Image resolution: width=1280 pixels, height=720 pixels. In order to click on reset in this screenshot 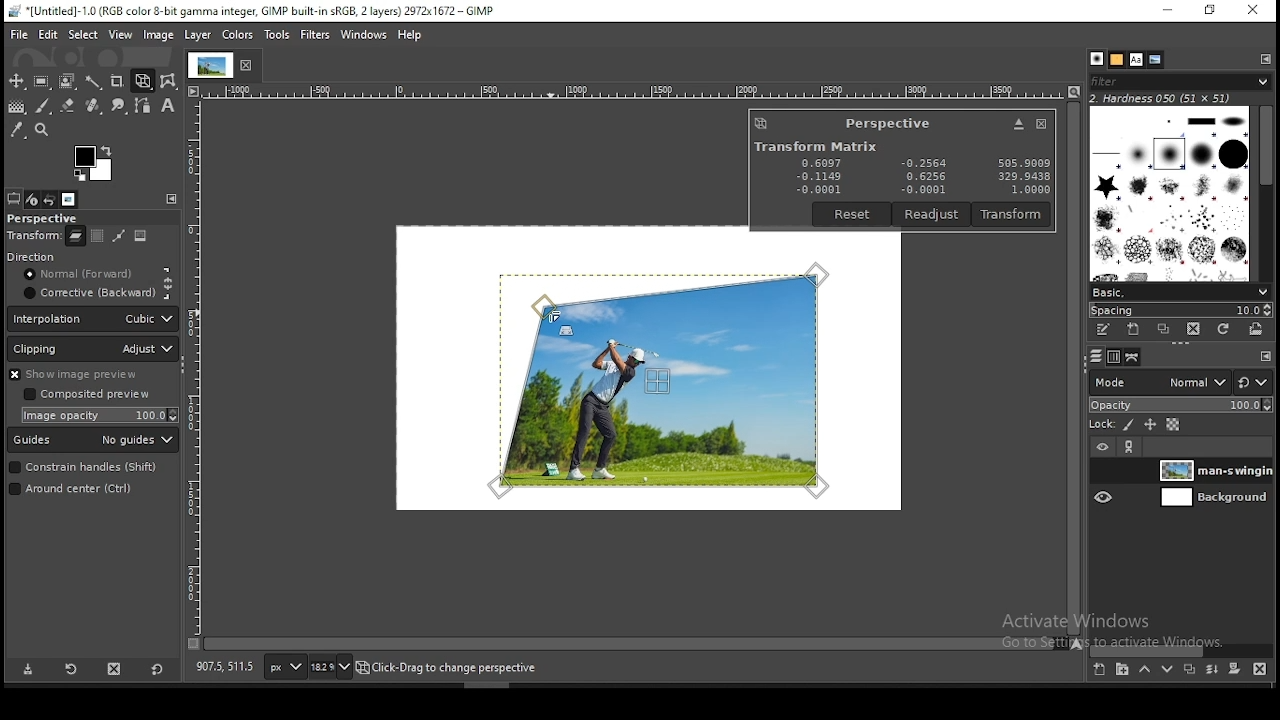, I will do `click(853, 214)`.